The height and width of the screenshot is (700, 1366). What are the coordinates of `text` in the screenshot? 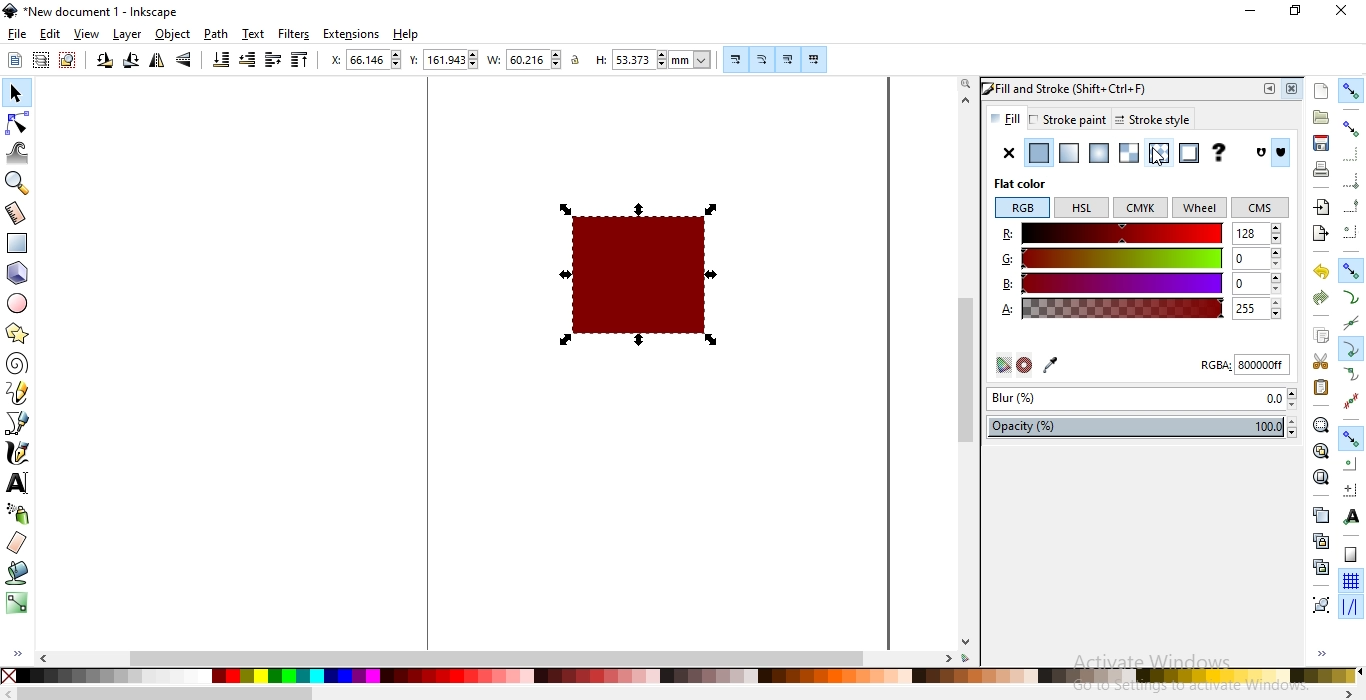 It's located at (254, 34).